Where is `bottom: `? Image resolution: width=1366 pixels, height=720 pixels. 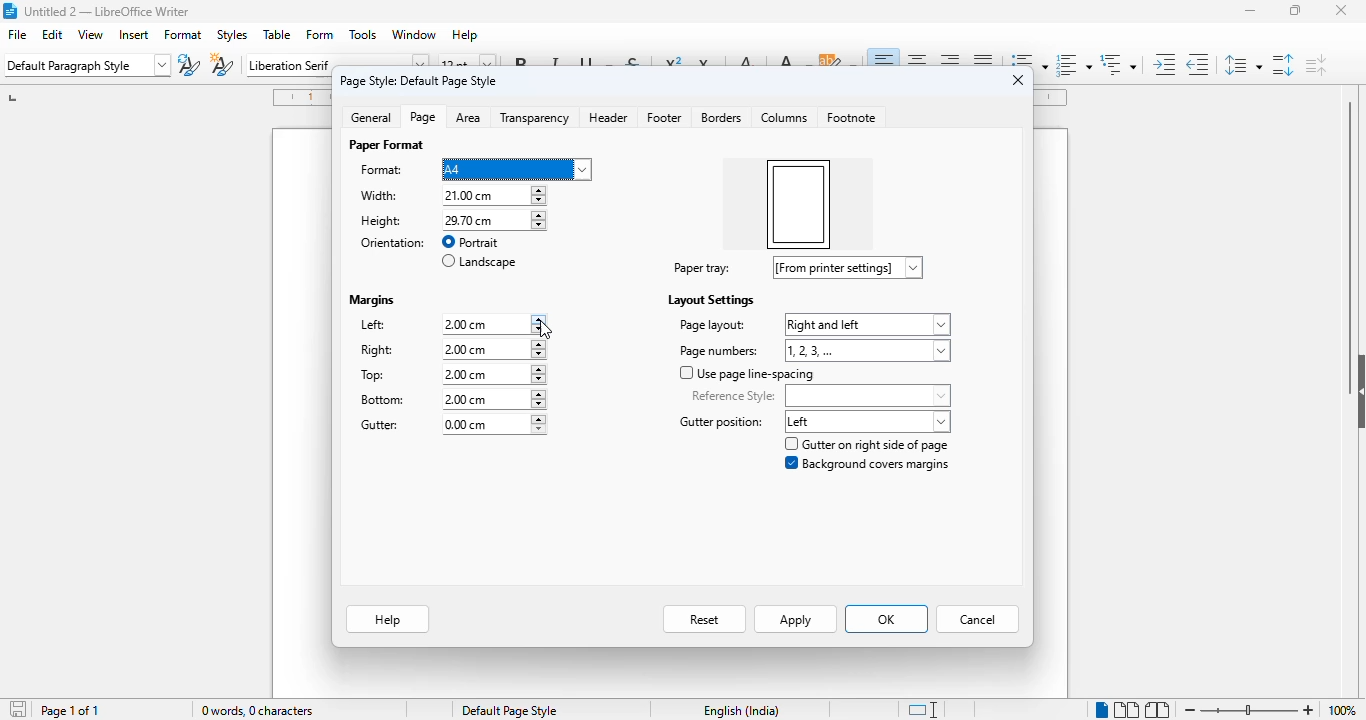 bottom:  is located at coordinates (382, 399).